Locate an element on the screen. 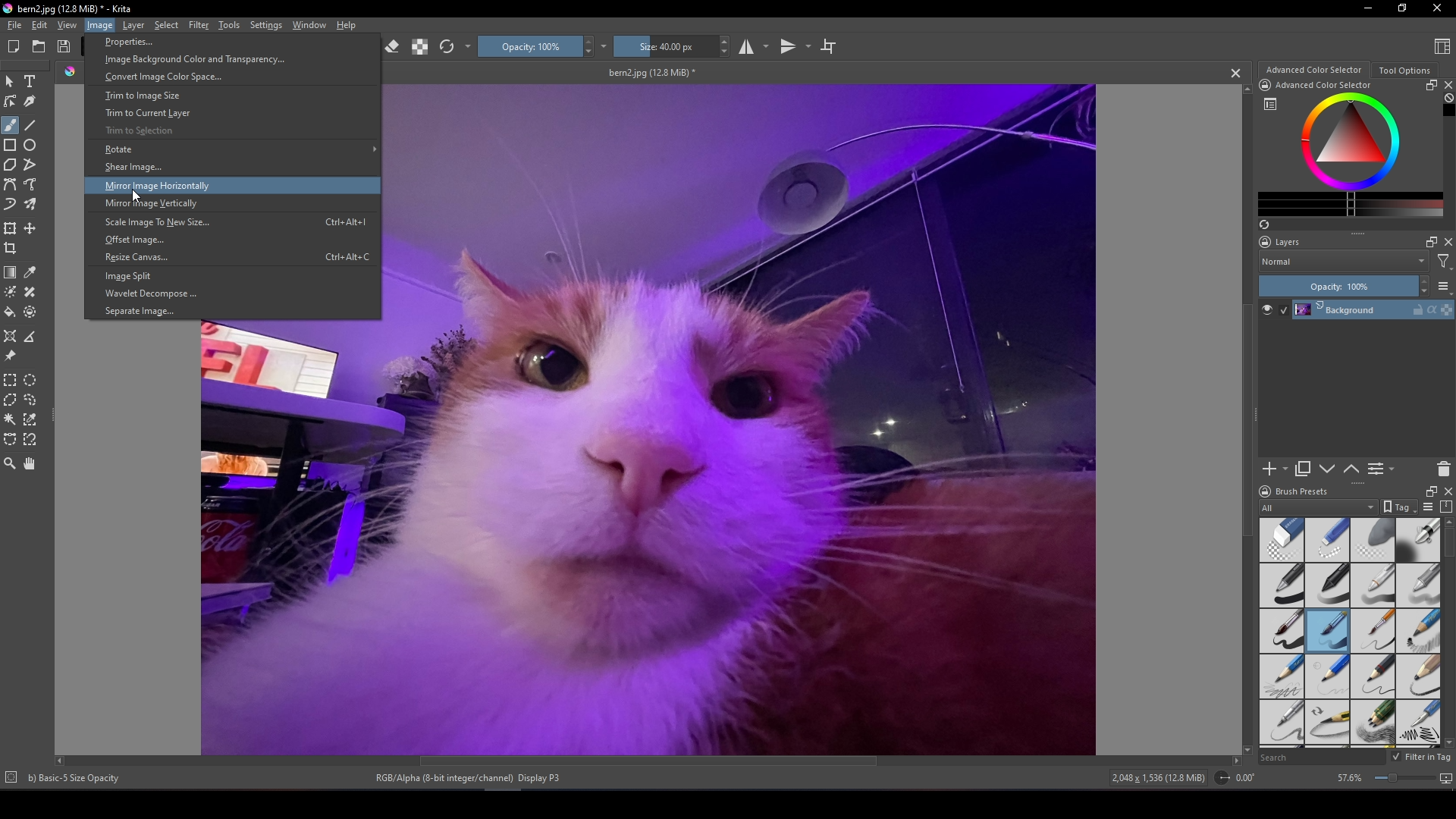  Smart patch tool is located at coordinates (30, 292).